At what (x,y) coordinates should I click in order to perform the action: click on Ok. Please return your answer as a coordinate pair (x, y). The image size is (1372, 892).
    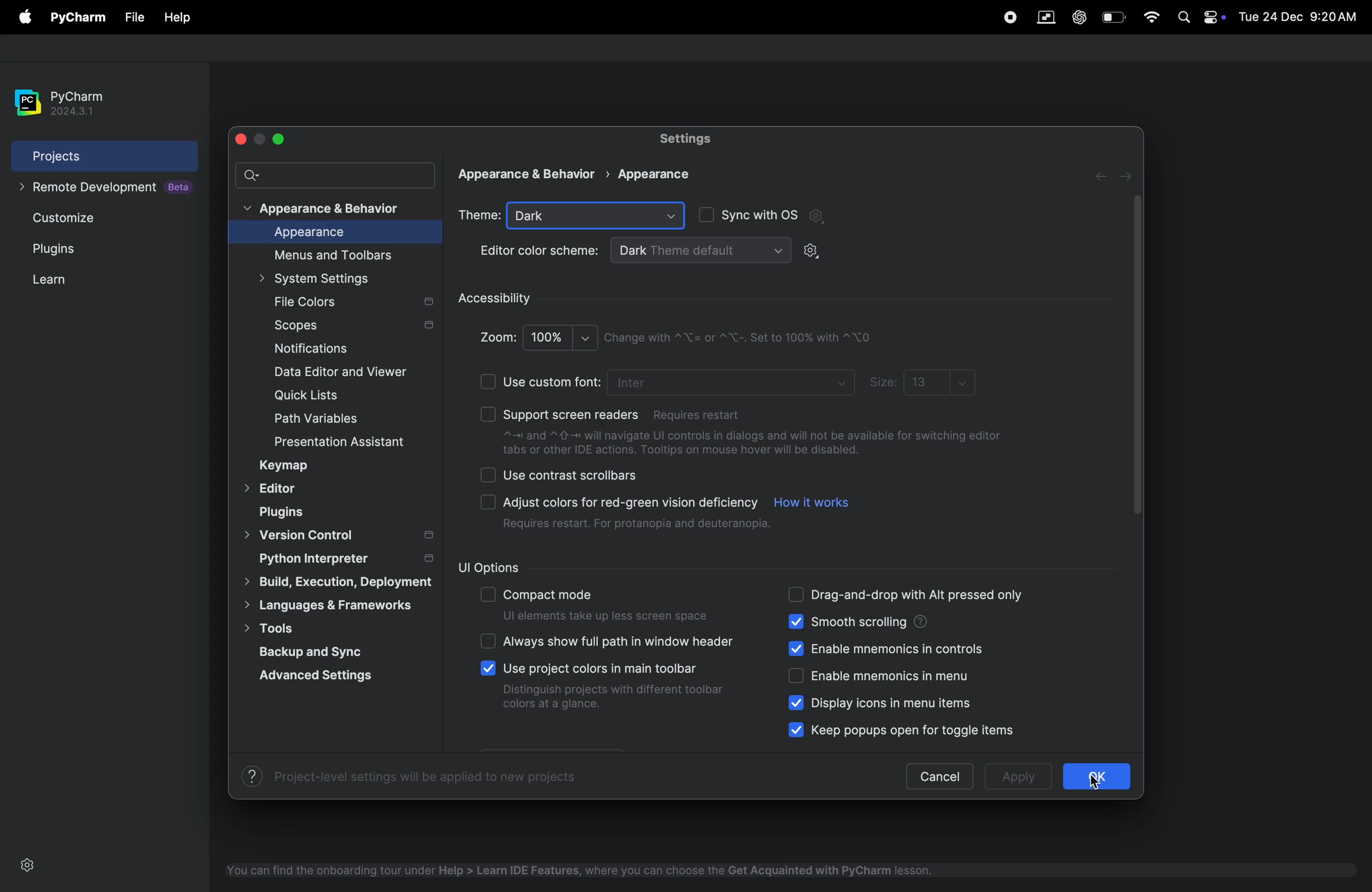
    Looking at the image, I should click on (1095, 776).